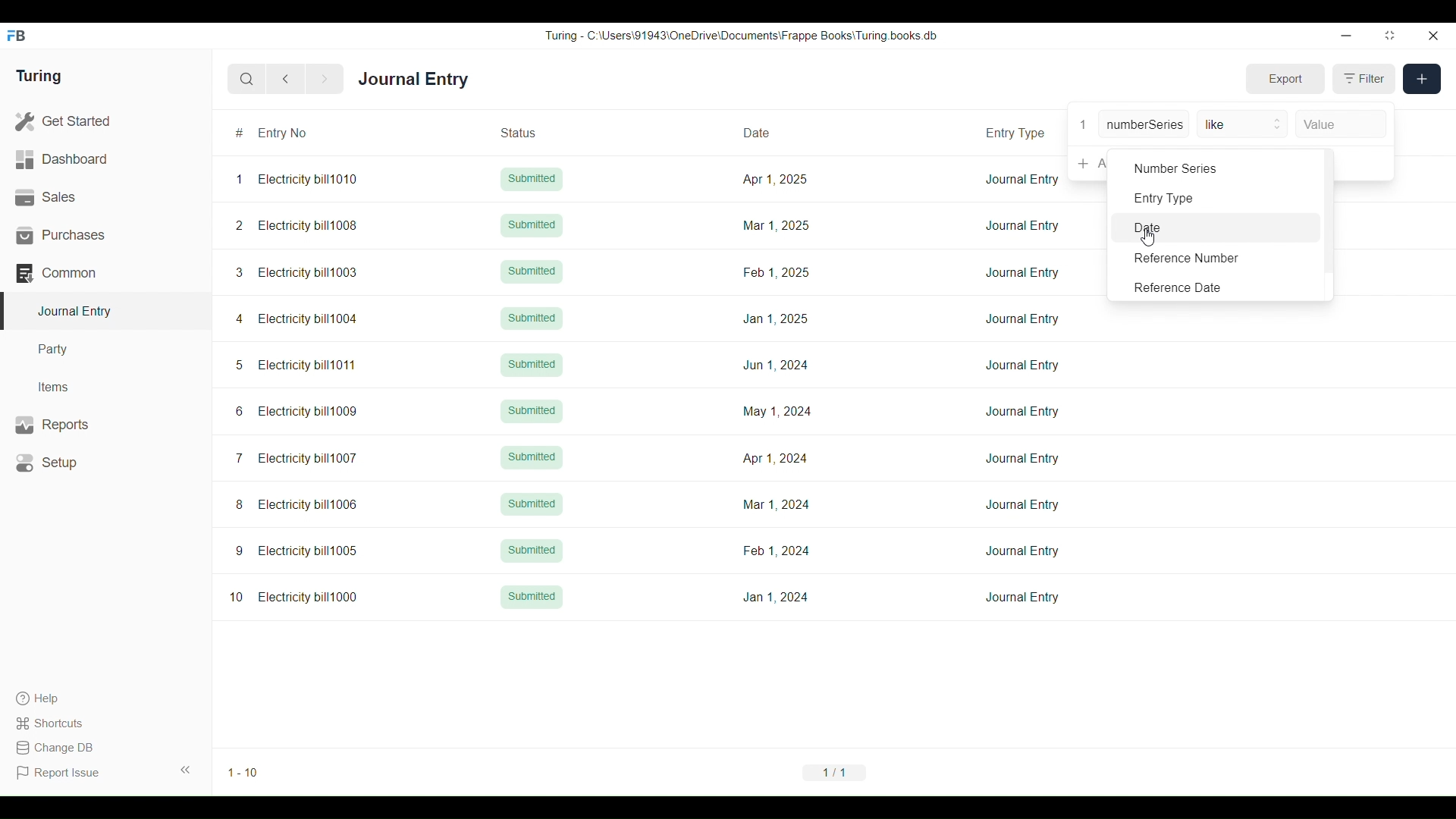 This screenshot has width=1456, height=819. What do you see at coordinates (57, 698) in the screenshot?
I see `Help` at bounding box center [57, 698].